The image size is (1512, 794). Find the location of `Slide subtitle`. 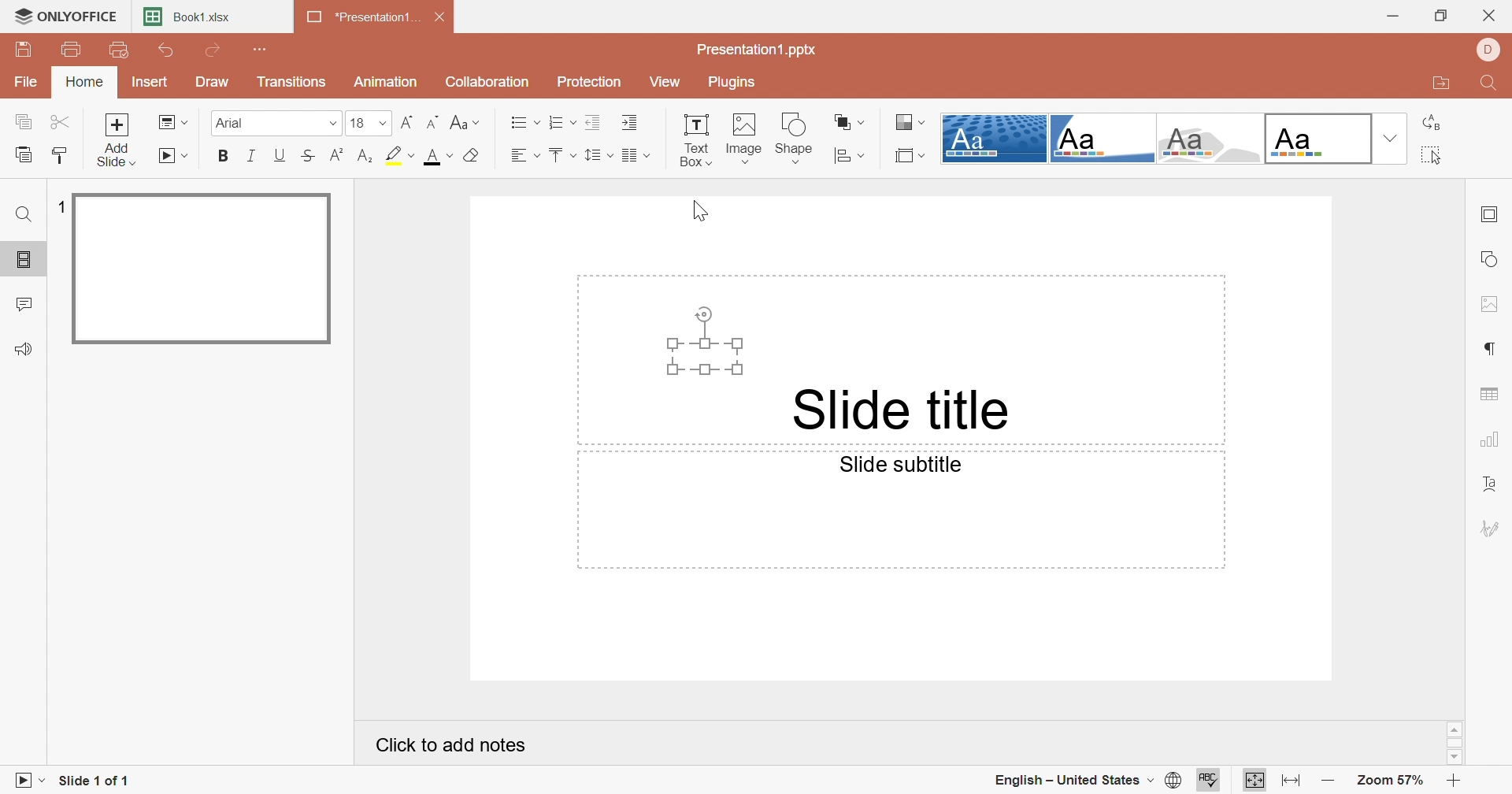

Slide subtitle is located at coordinates (901, 466).